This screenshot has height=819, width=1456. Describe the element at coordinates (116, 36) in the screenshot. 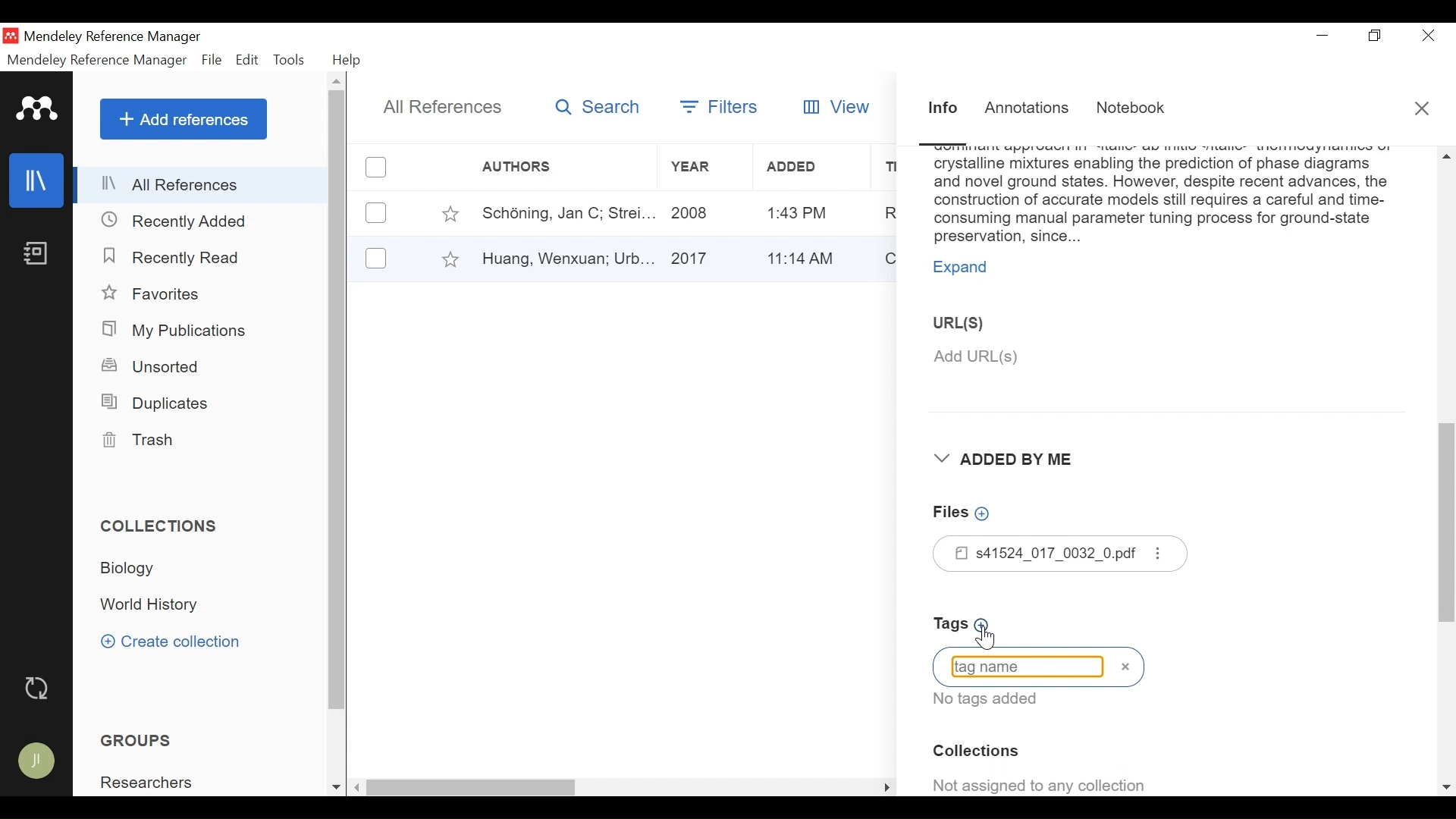

I see `Mendeley Reference Manager` at that location.